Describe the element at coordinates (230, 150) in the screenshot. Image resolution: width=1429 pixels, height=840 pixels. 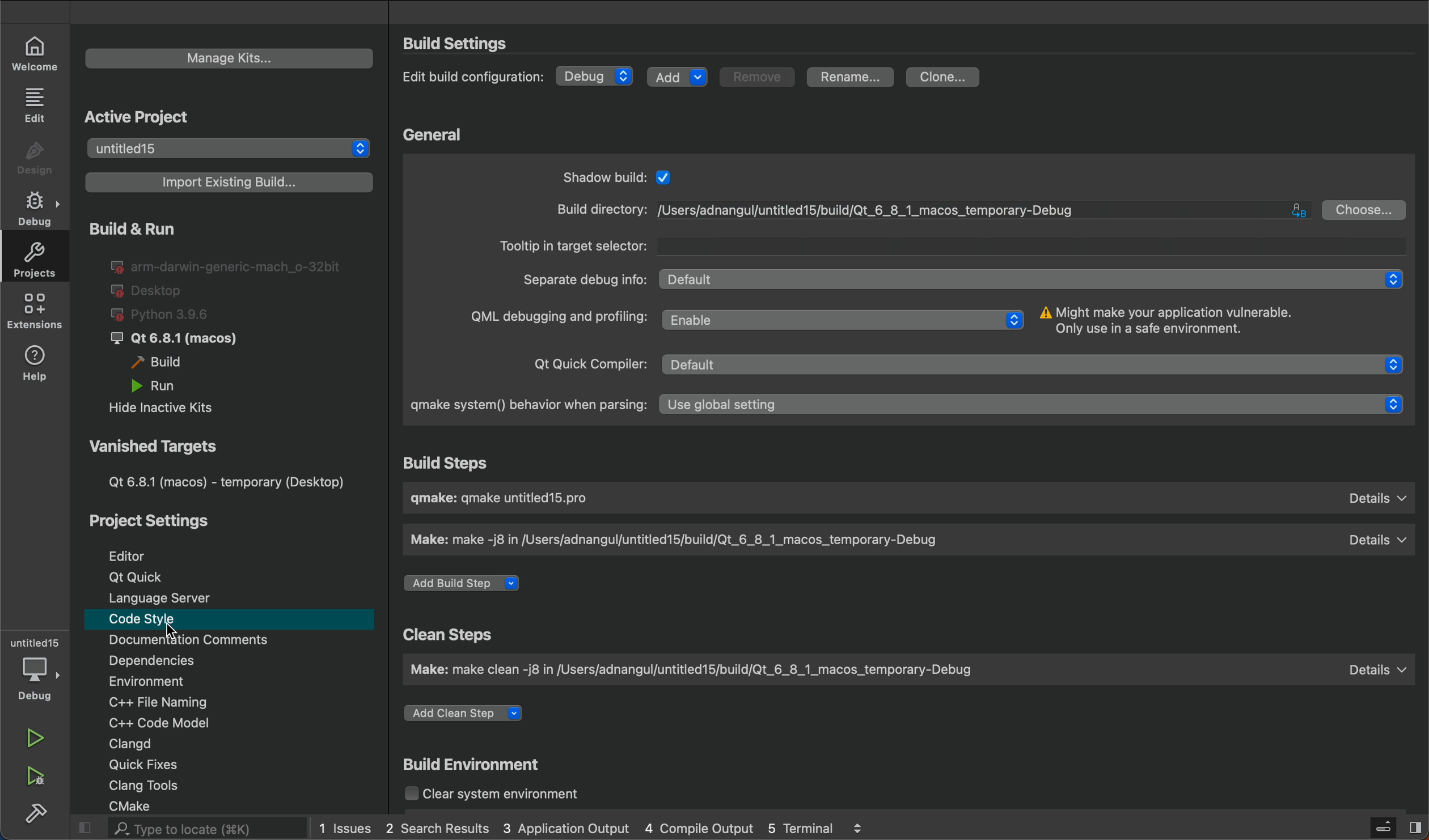
I see `project select` at that location.